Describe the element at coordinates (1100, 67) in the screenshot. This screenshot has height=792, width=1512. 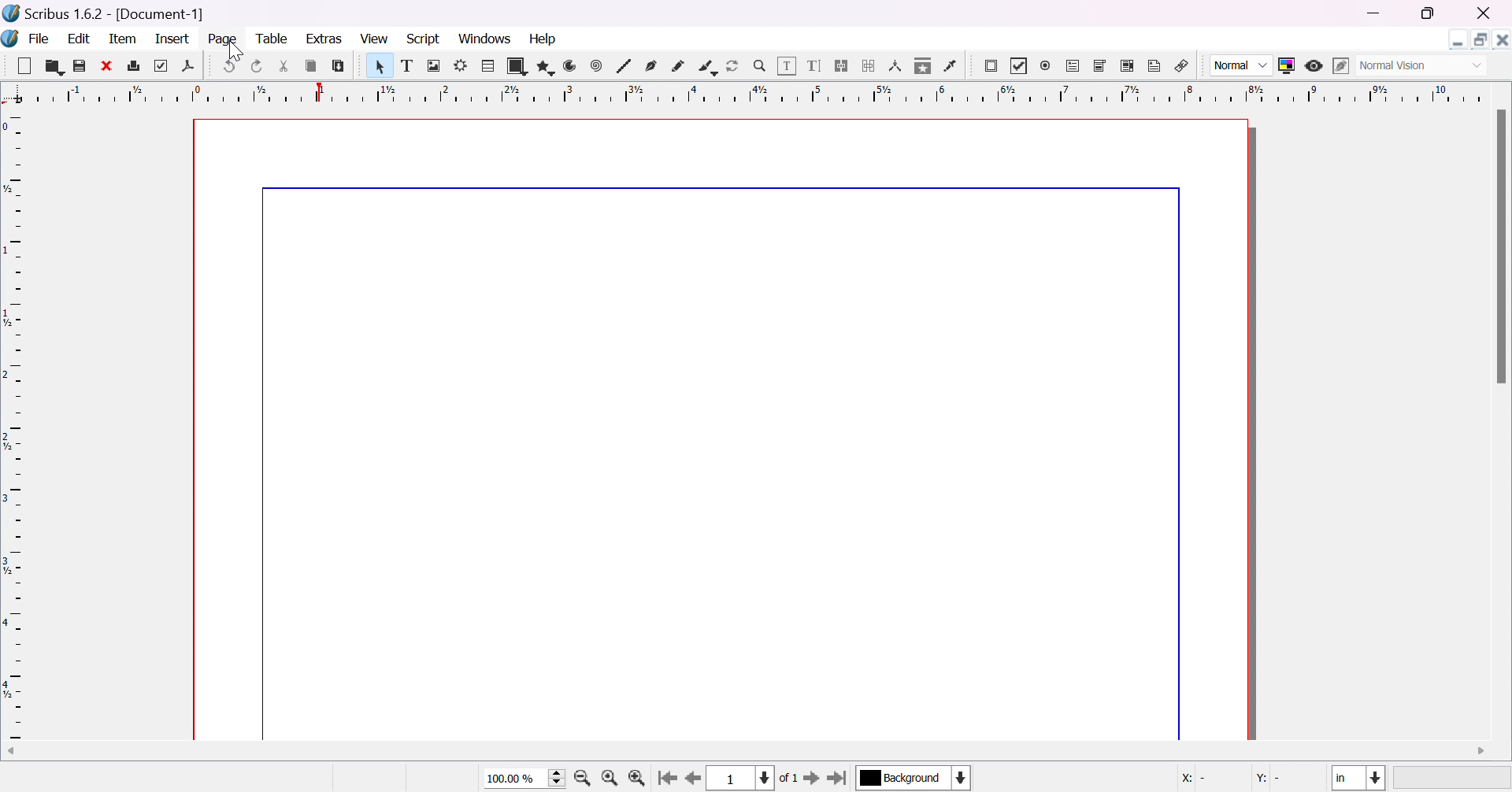
I see `PDF combo box` at that location.